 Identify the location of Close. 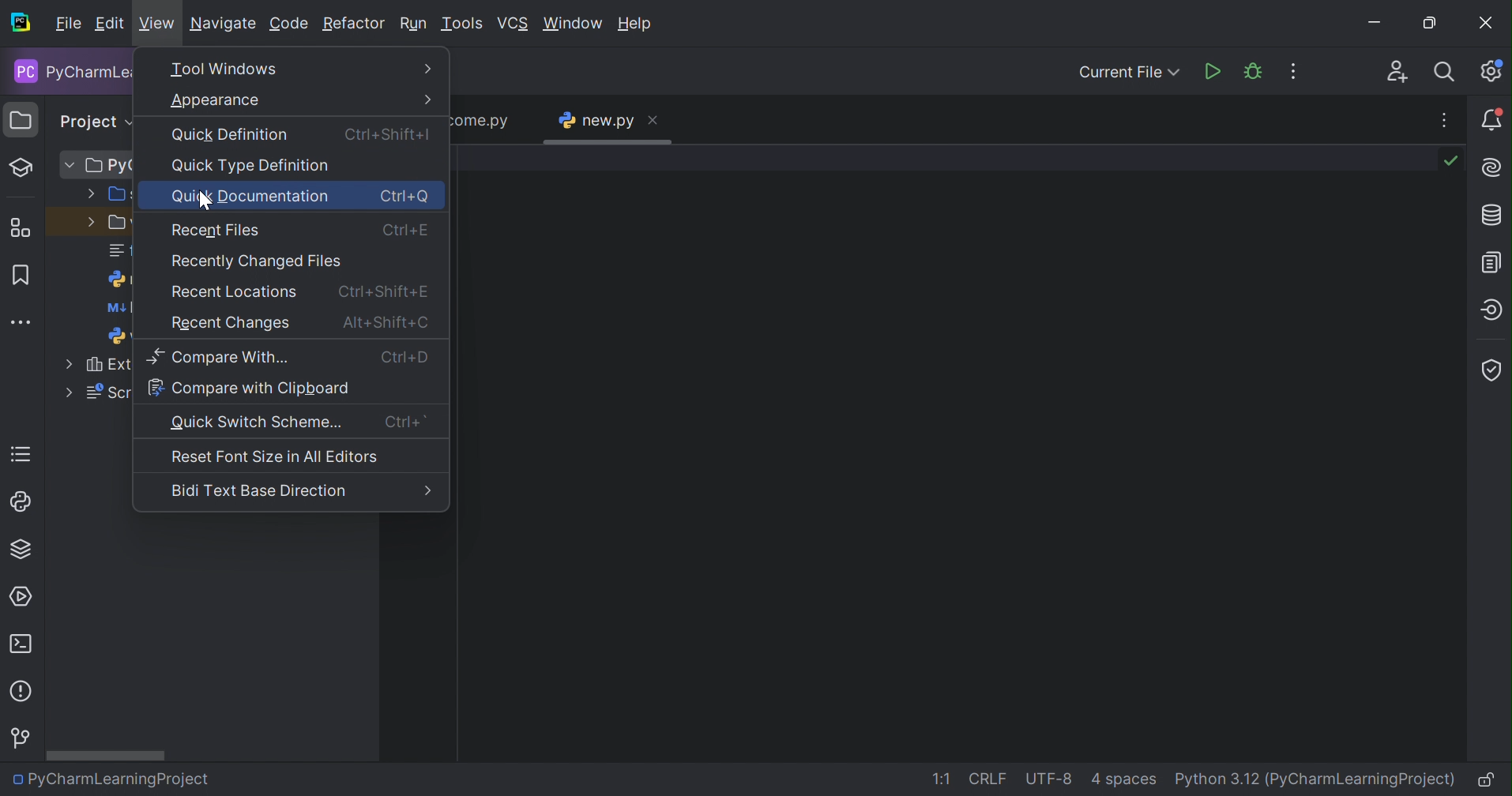
(655, 118).